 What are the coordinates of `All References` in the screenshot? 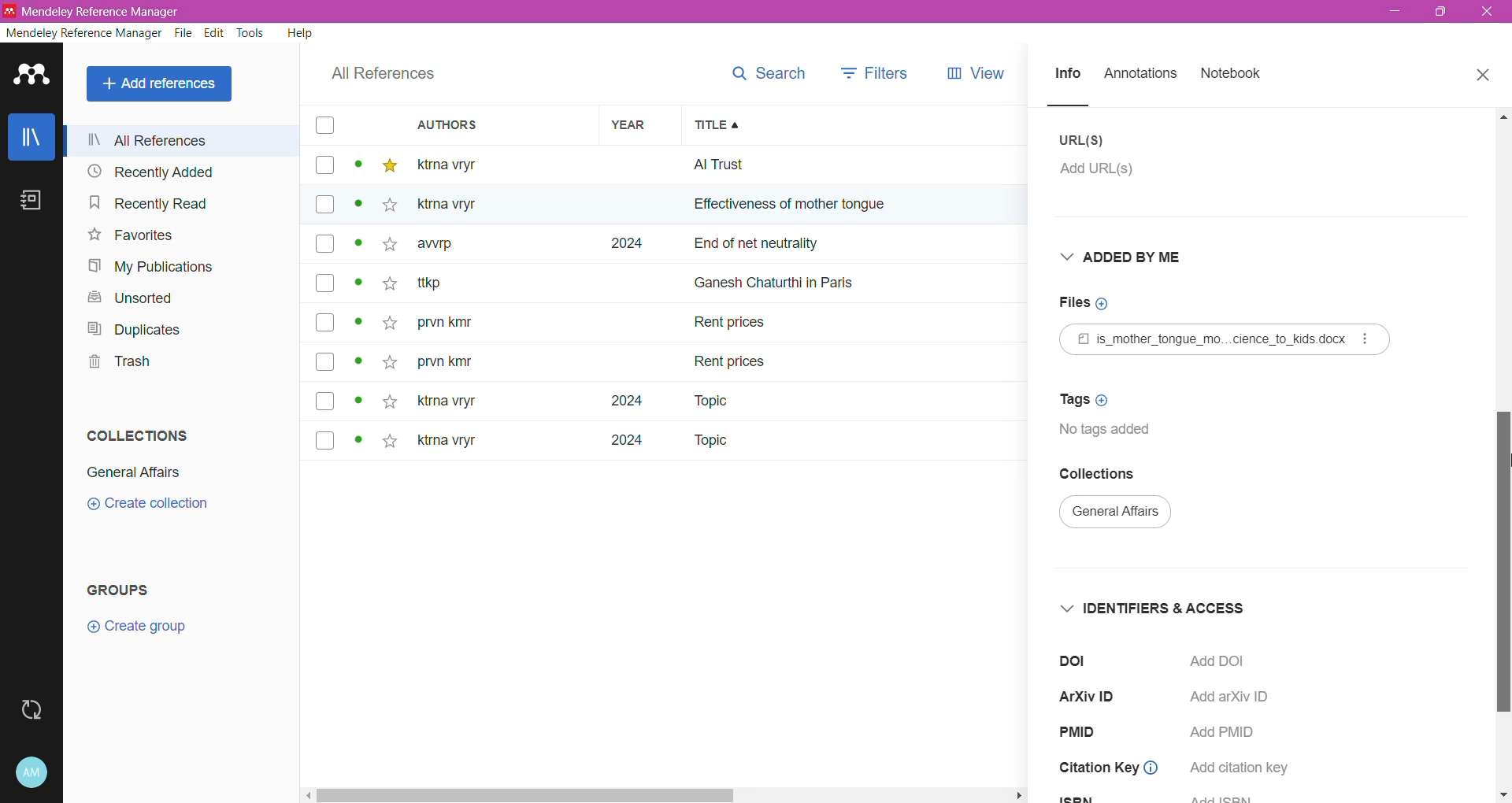 It's located at (183, 140).